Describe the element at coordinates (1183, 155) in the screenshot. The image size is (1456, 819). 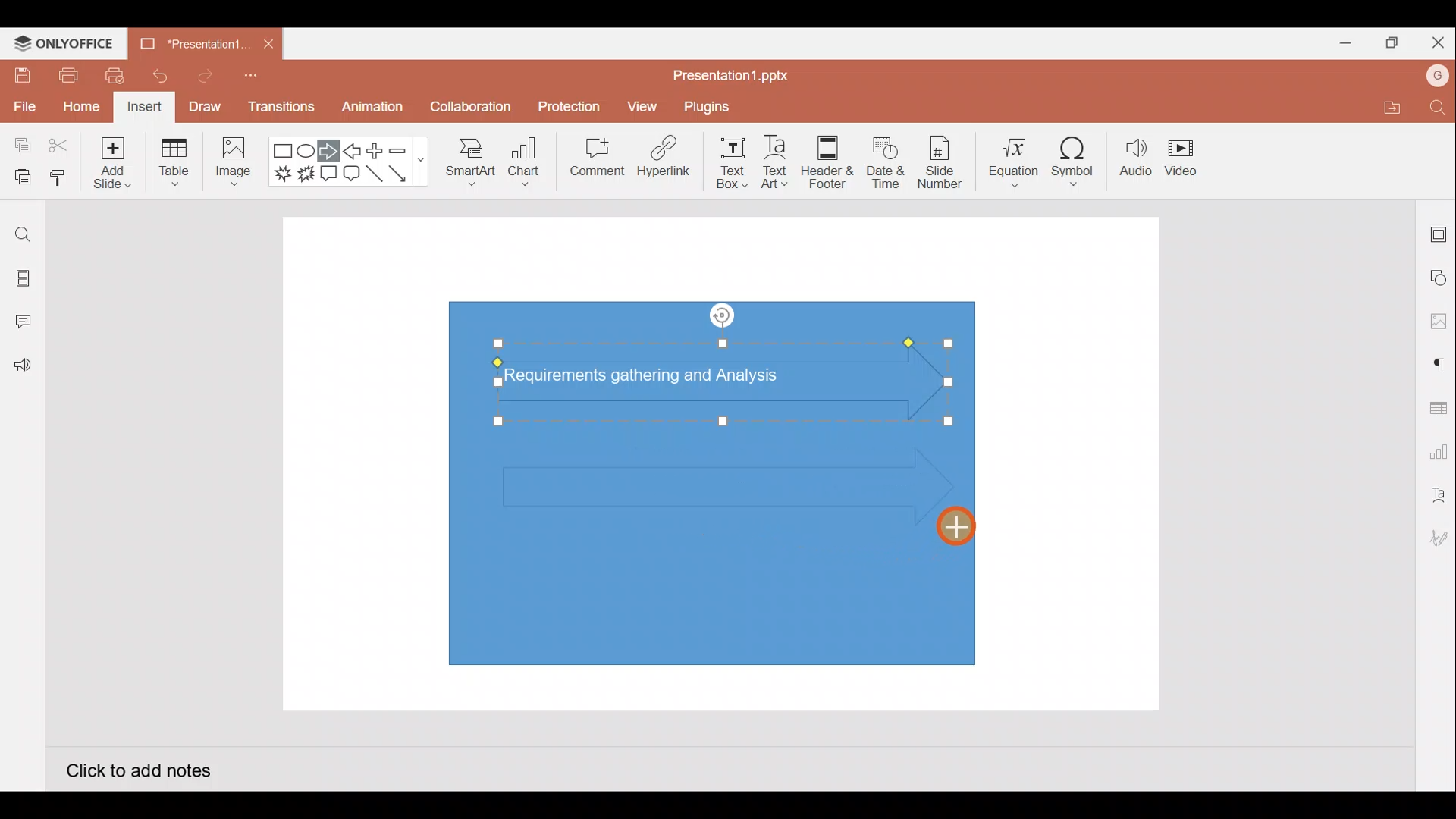
I see `Video` at that location.